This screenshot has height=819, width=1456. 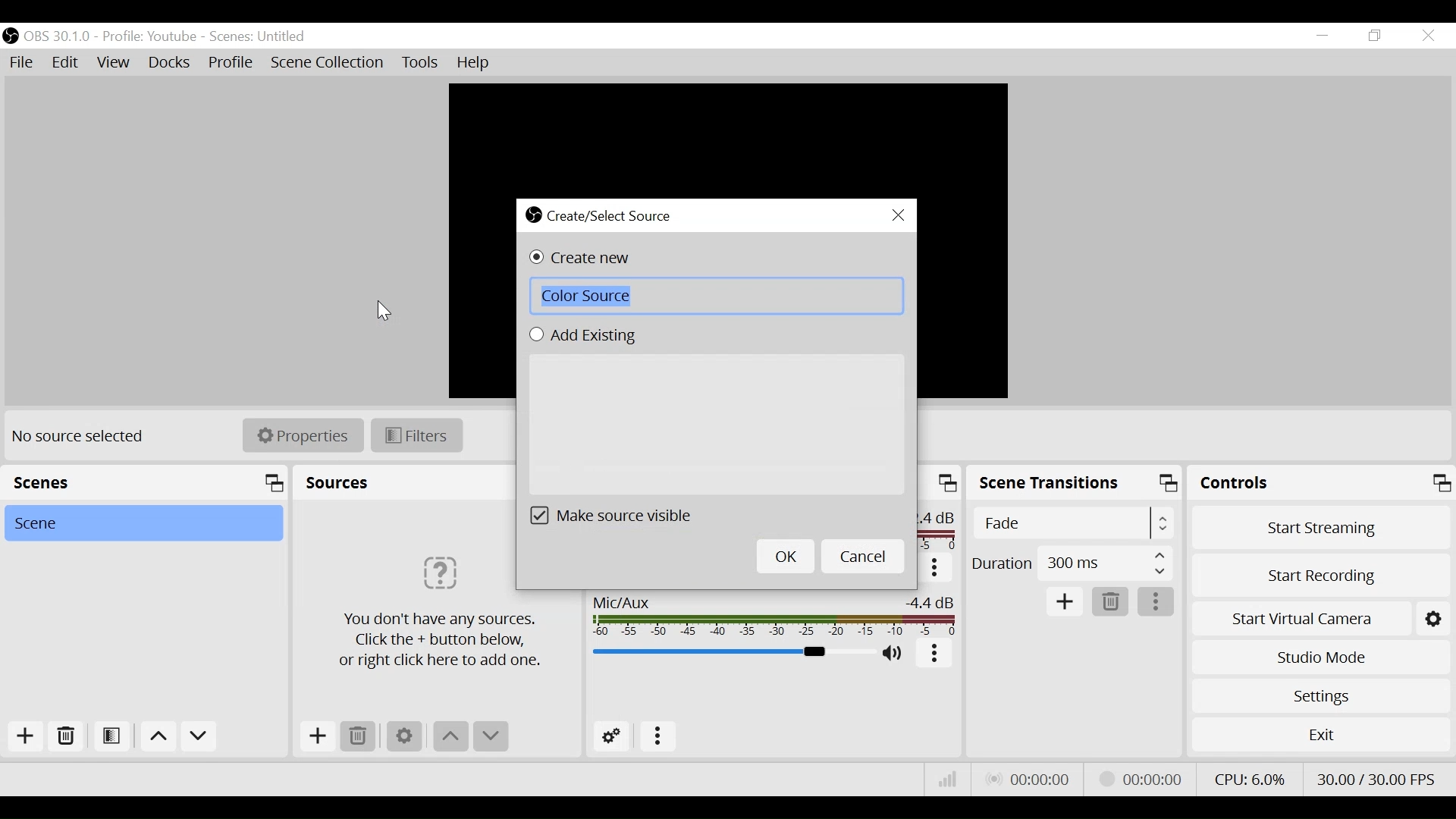 What do you see at coordinates (327, 62) in the screenshot?
I see `Scene Collection` at bounding box center [327, 62].